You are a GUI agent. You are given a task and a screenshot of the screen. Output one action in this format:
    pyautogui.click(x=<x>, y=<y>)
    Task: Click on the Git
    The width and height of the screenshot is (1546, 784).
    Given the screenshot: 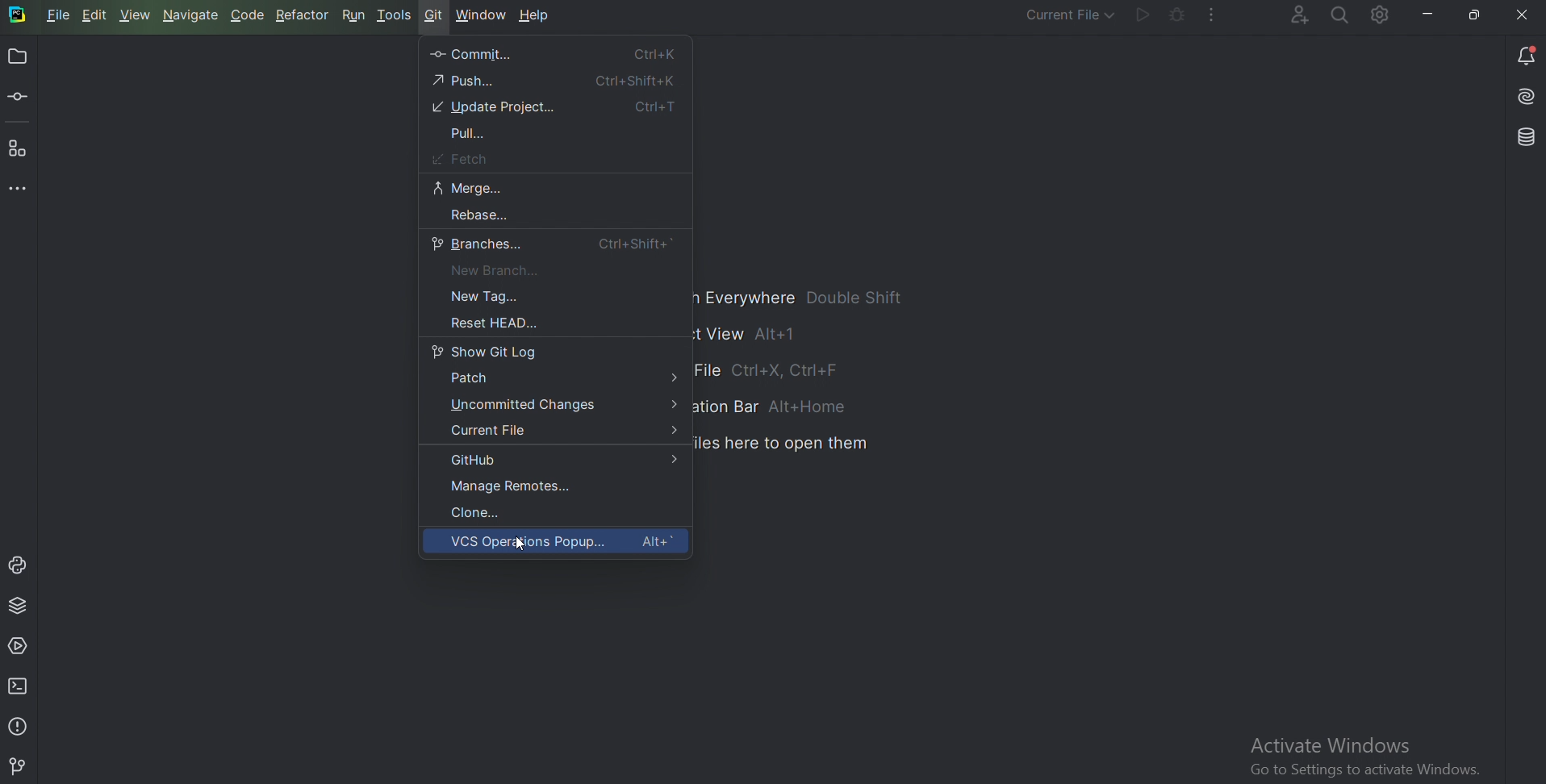 What is the action you would take?
    pyautogui.click(x=20, y=766)
    